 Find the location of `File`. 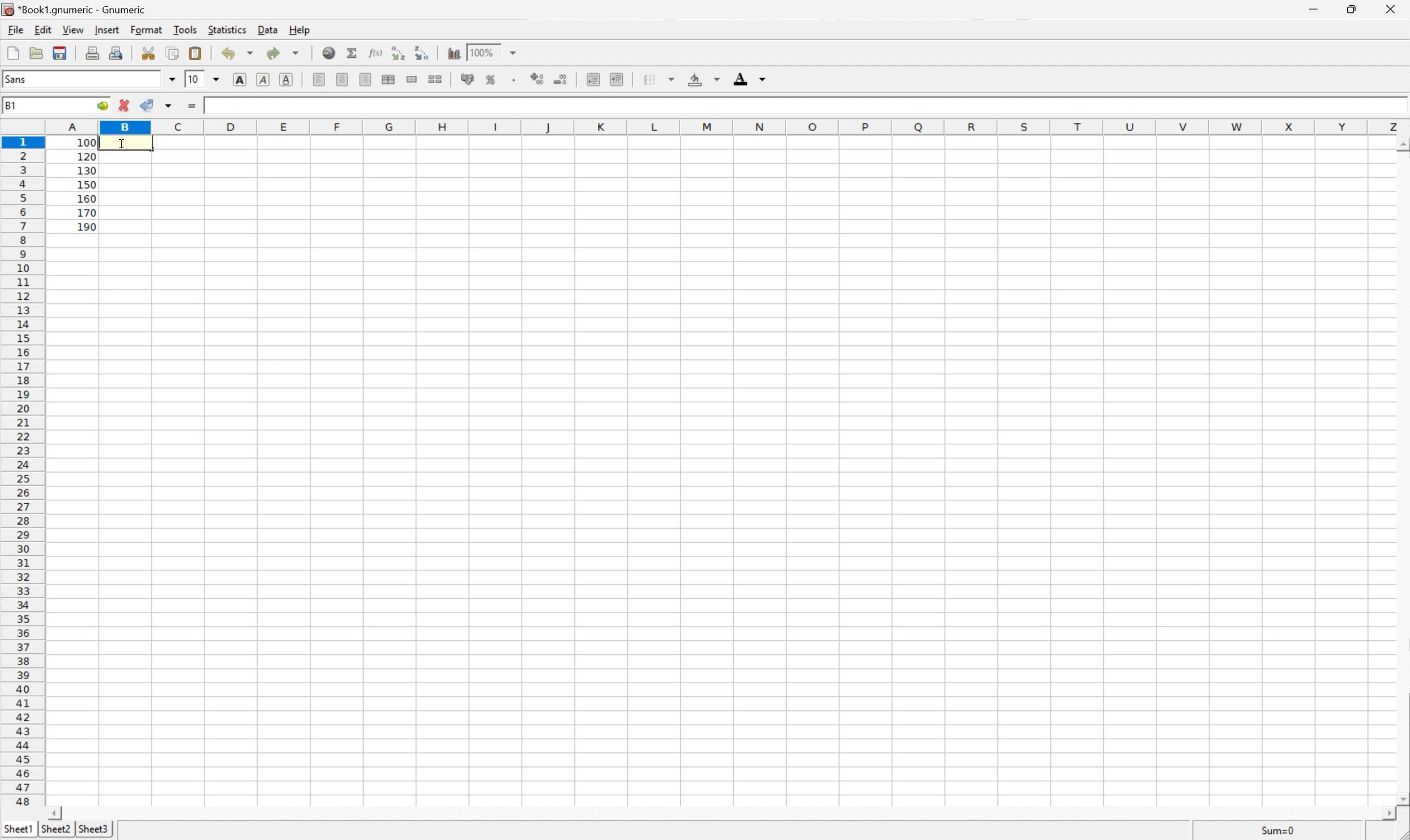

File is located at coordinates (15, 30).